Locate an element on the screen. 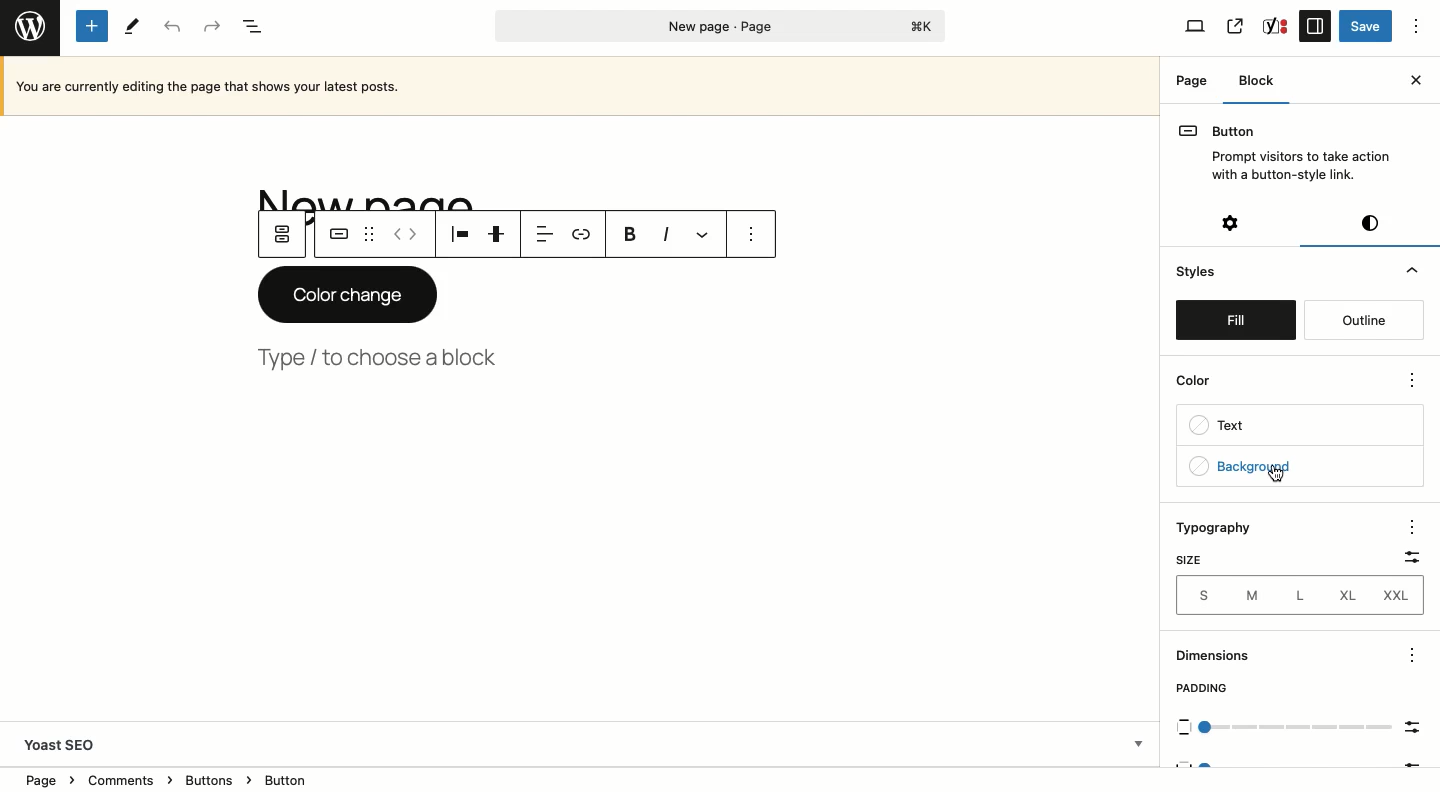  View is located at coordinates (1195, 26).